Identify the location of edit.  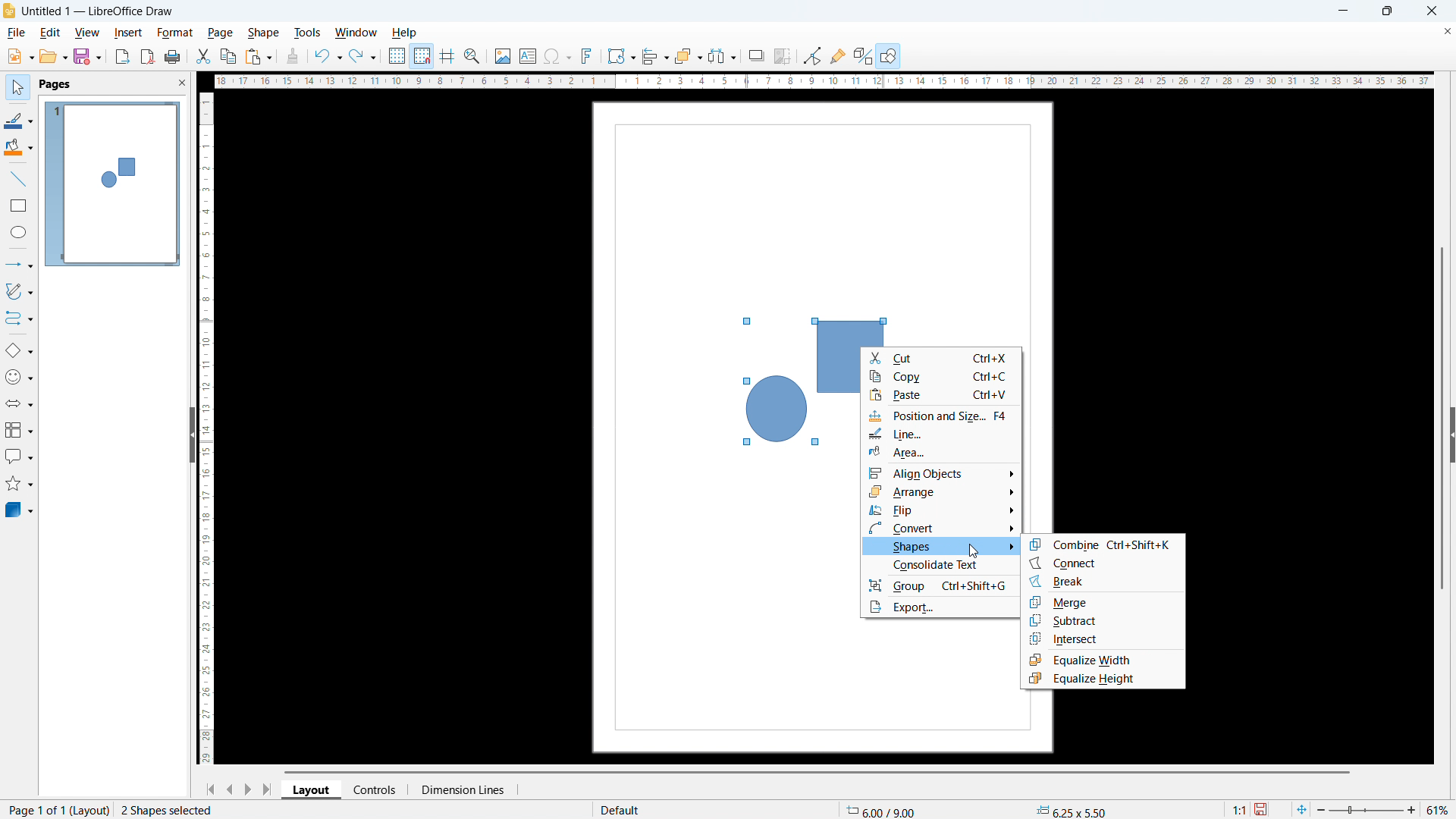
(52, 33).